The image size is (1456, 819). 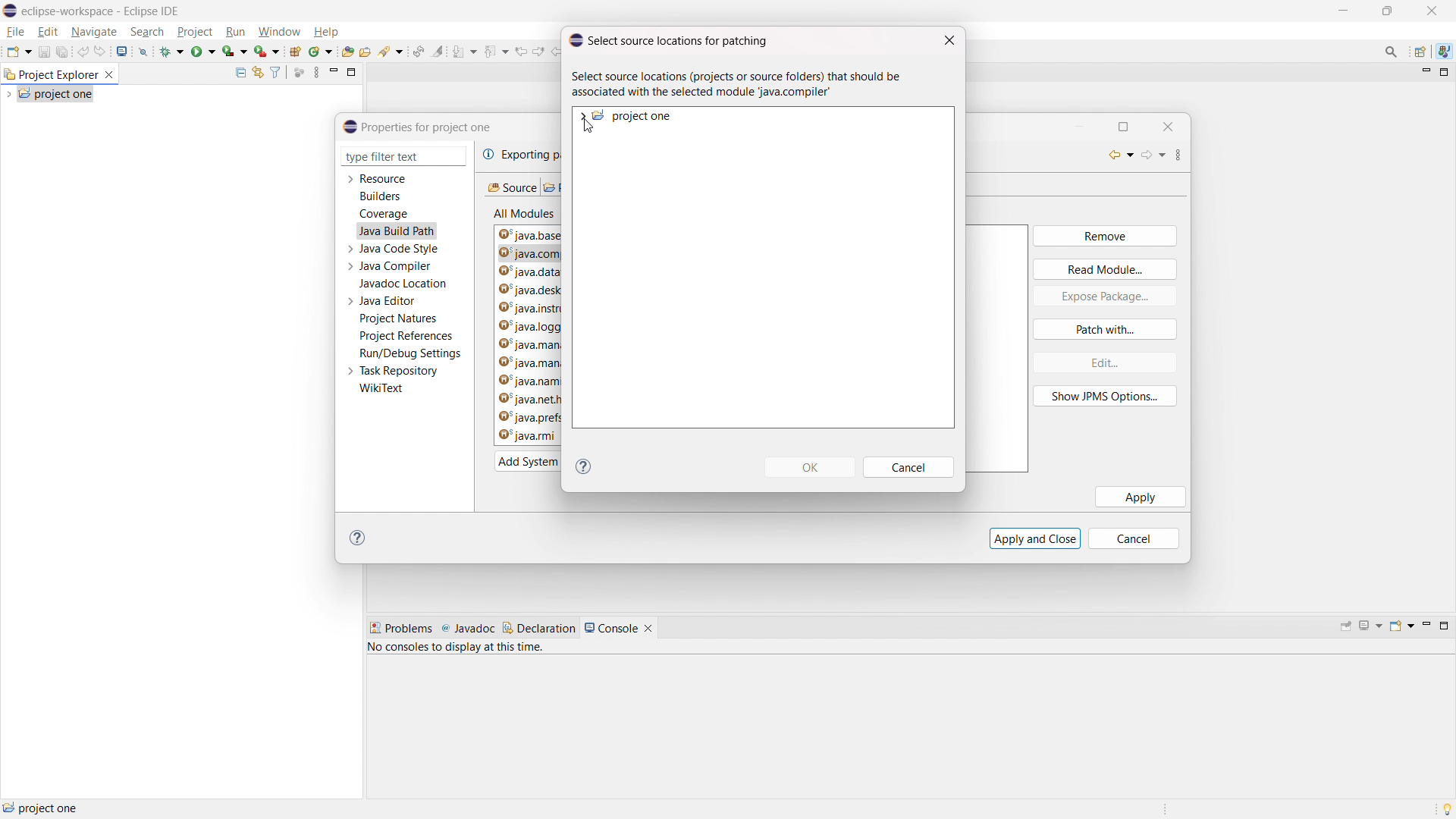 I want to click on cancel, so click(x=1141, y=538).